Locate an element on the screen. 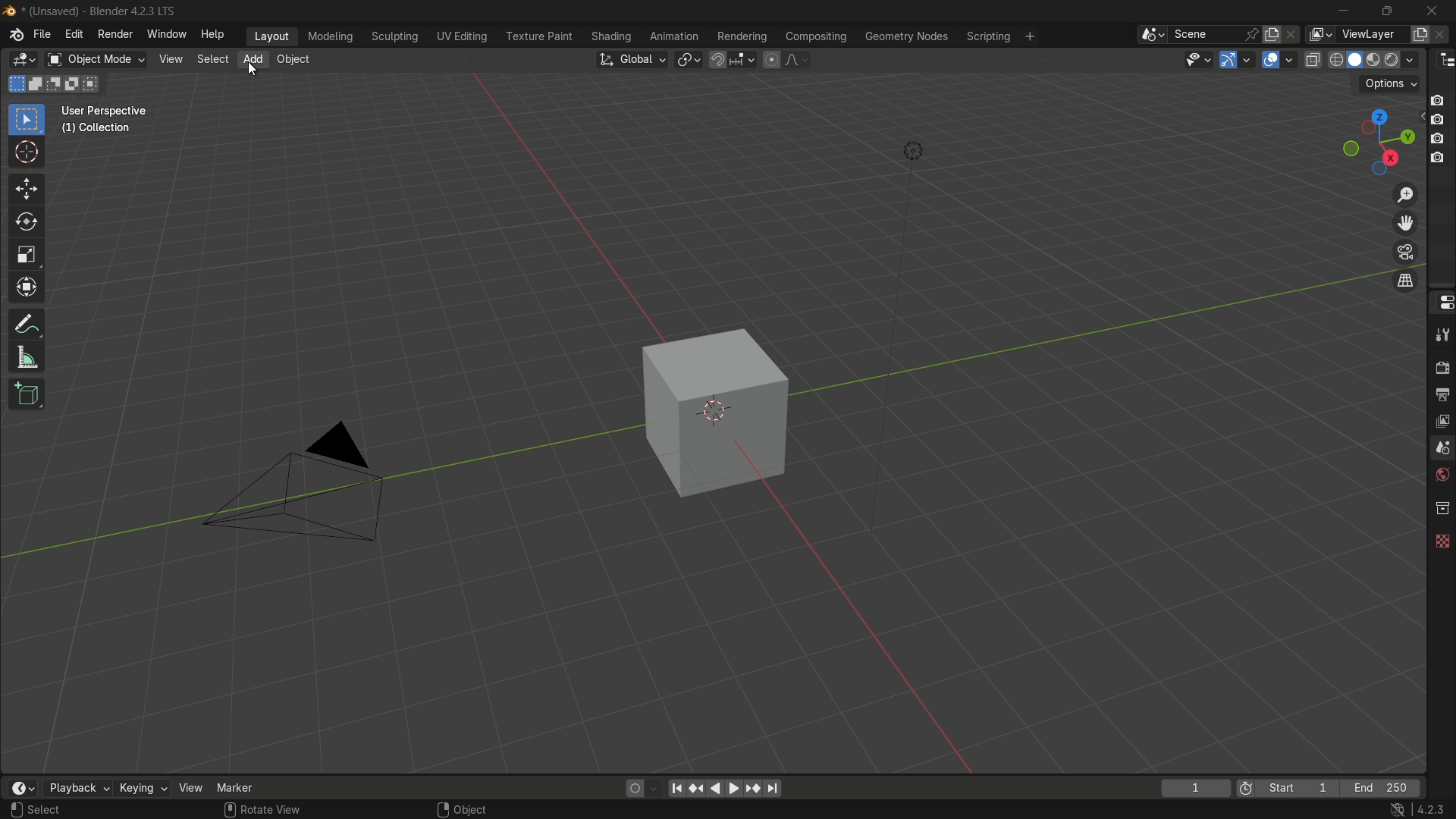 The height and width of the screenshot is (819, 1456). capture is located at coordinates (1436, 158).